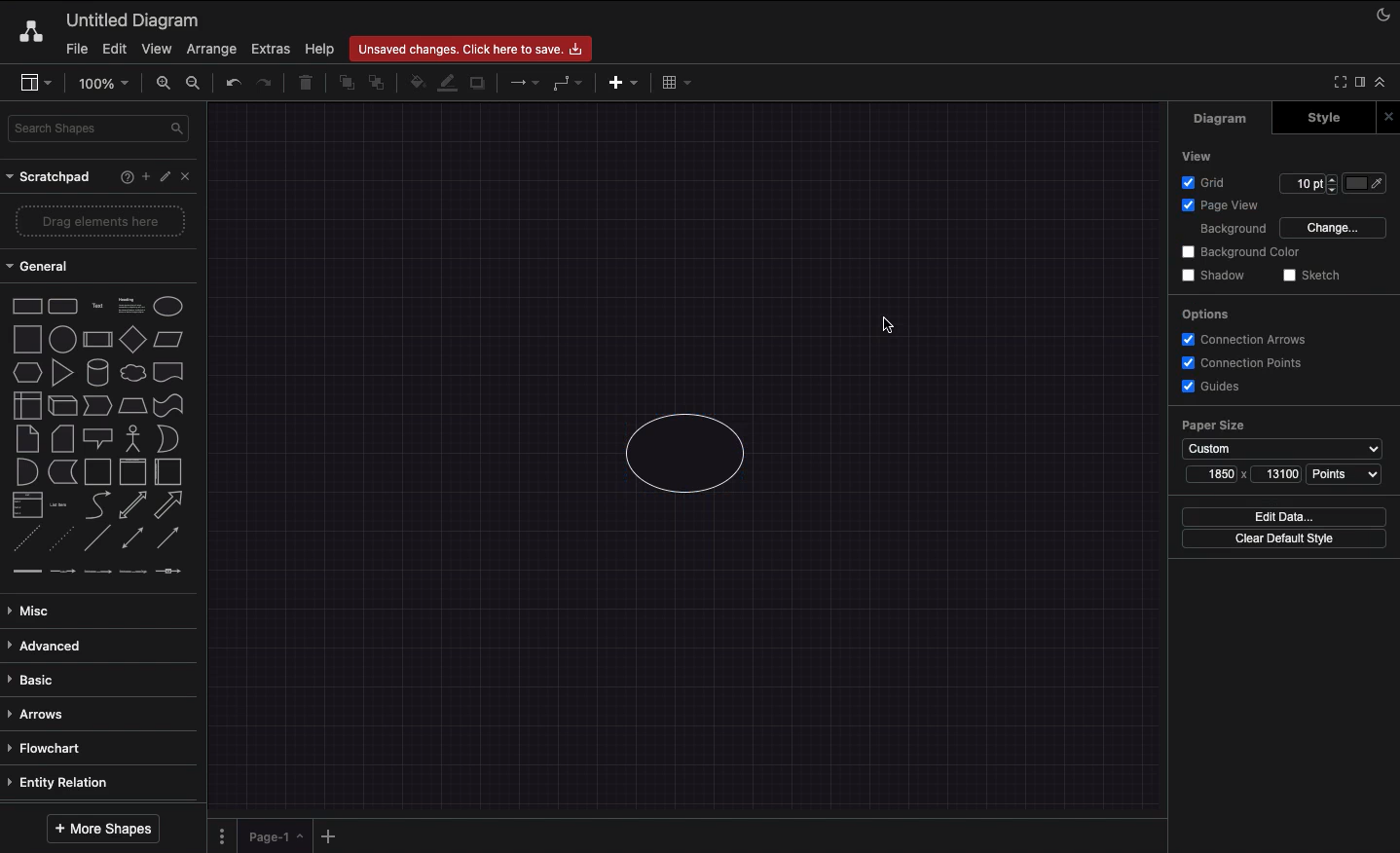  What do you see at coordinates (319, 48) in the screenshot?
I see `Help` at bounding box center [319, 48].